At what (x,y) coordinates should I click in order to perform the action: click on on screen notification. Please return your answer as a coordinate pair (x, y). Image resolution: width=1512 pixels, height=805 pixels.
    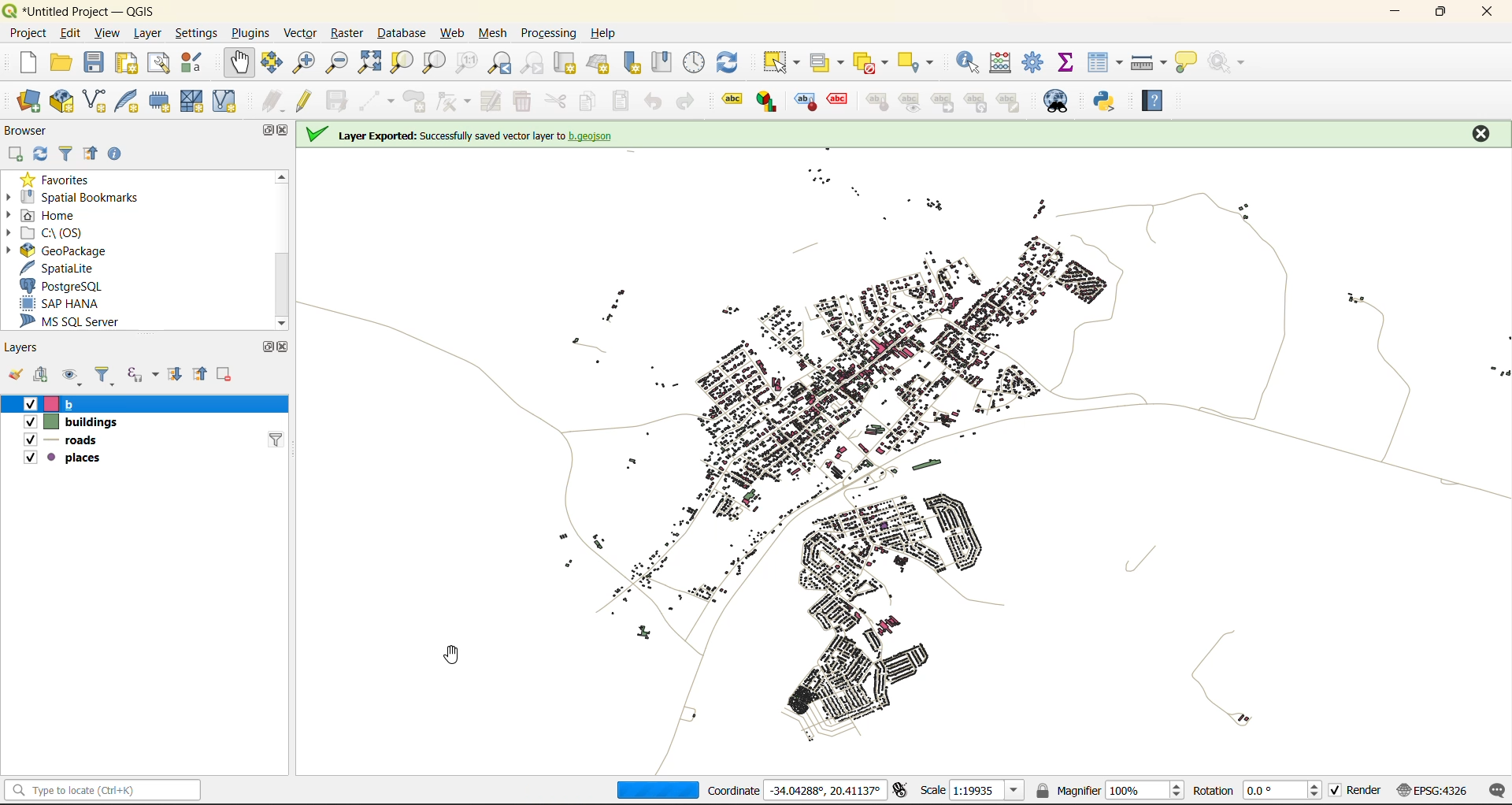
    Looking at the image, I should click on (474, 134).